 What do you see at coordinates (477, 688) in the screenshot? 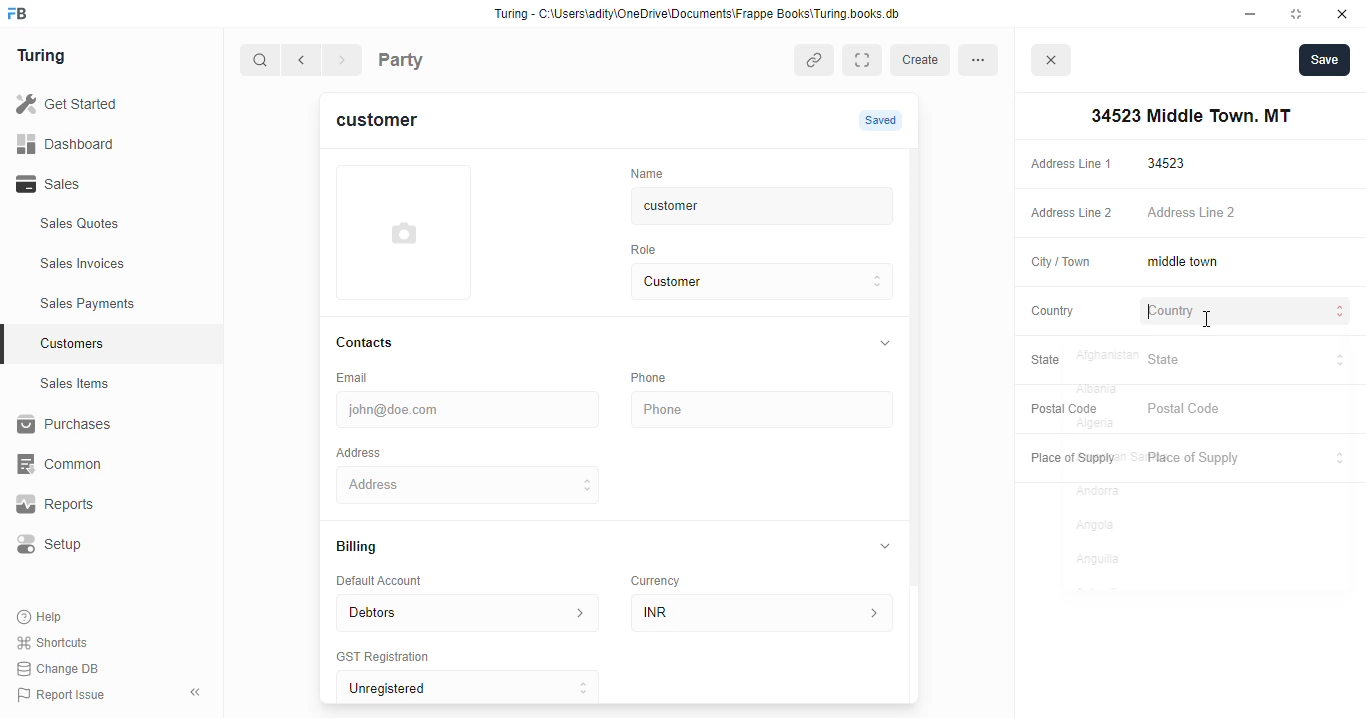
I see `Unregistered` at bounding box center [477, 688].